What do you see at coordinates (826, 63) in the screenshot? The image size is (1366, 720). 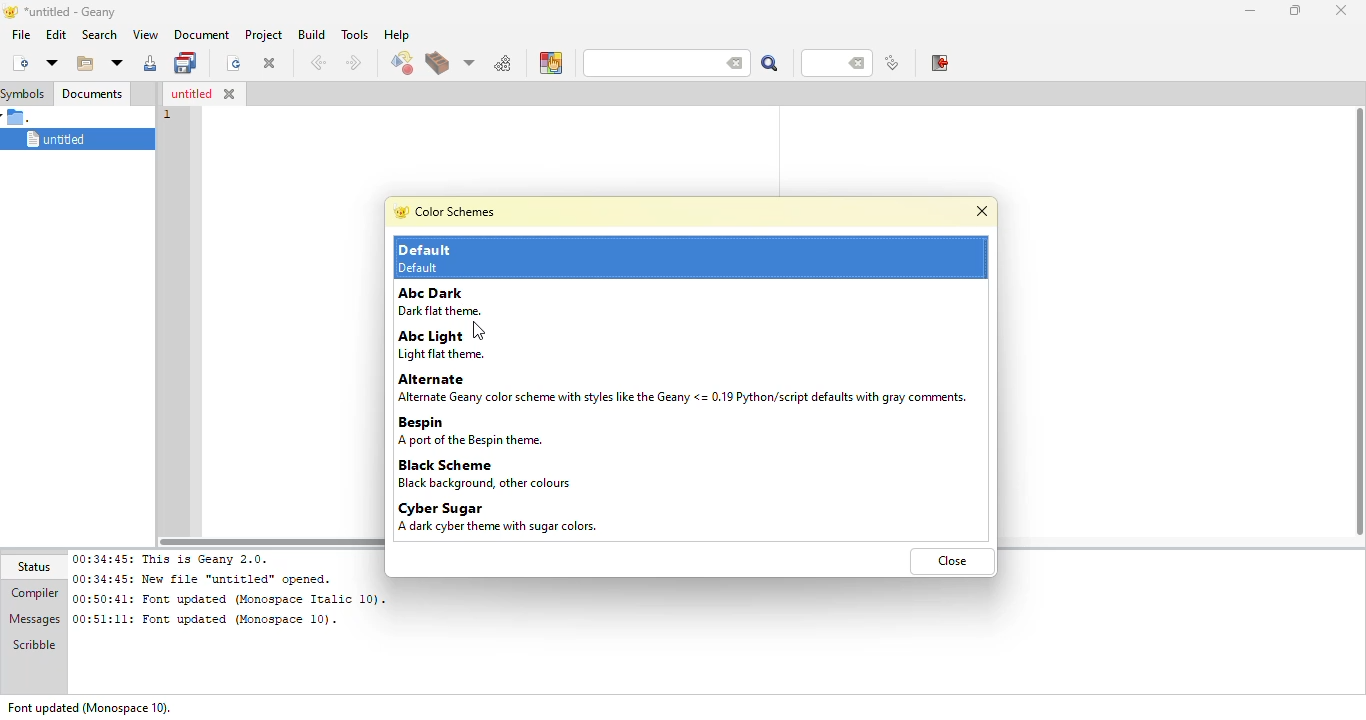 I see `line number` at bounding box center [826, 63].